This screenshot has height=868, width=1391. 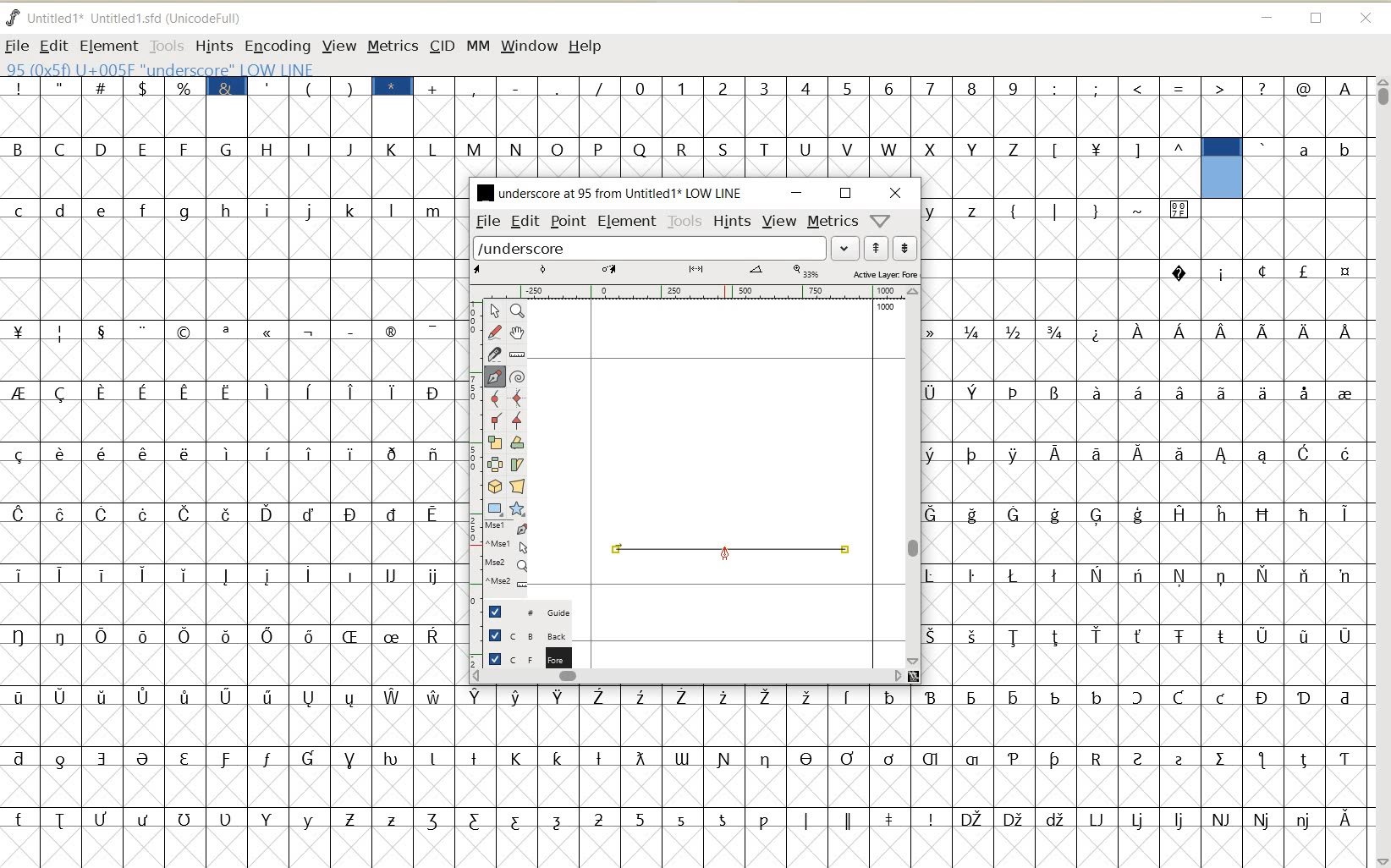 I want to click on GLYPHY CHARACTERS, so click(x=689, y=151).